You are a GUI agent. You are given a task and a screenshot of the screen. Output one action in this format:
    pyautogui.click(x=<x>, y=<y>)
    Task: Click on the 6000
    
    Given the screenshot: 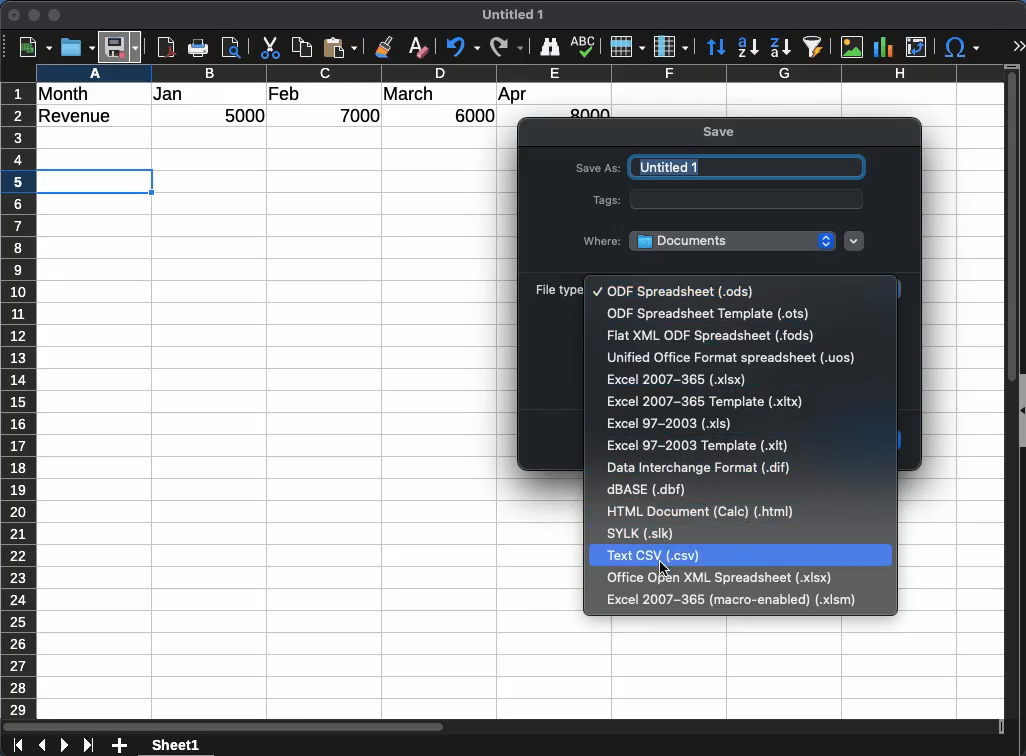 What is the action you would take?
    pyautogui.click(x=469, y=116)
    